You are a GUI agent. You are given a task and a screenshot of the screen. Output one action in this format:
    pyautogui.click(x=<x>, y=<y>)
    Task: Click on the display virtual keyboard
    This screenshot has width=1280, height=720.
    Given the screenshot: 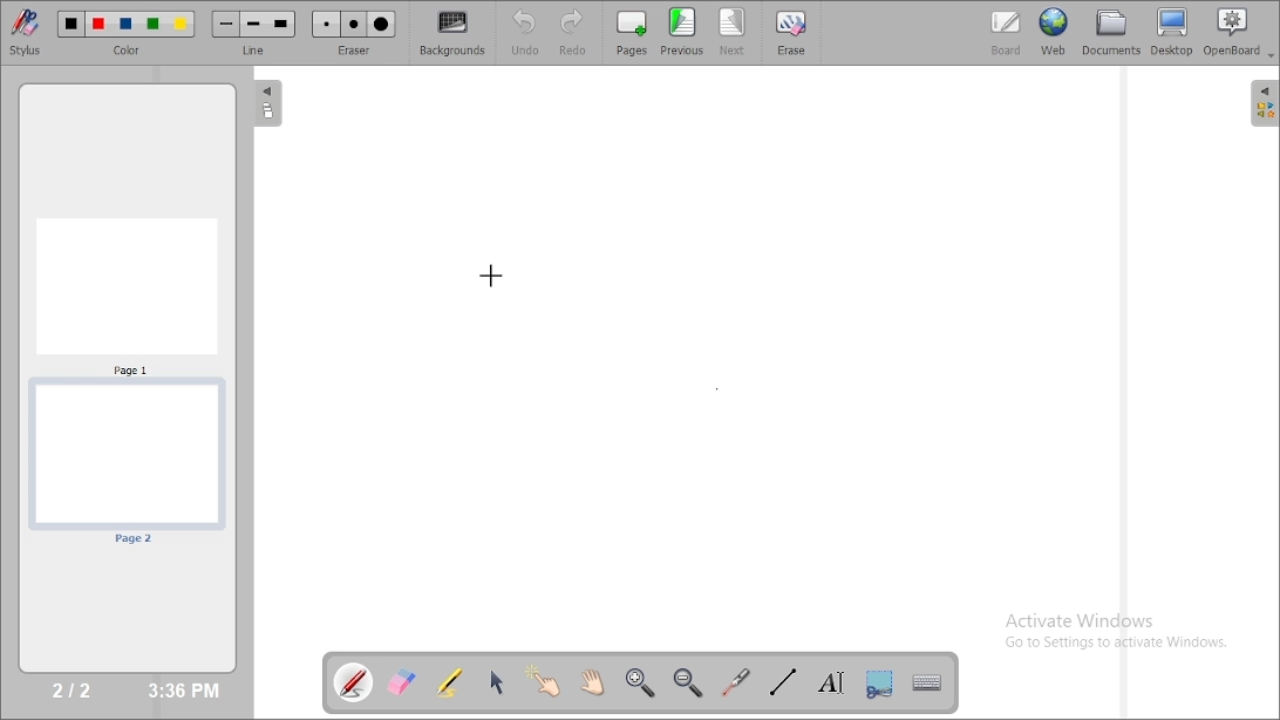 What is the action you would take?
    pyautogui.click(x=926, y=682)
    